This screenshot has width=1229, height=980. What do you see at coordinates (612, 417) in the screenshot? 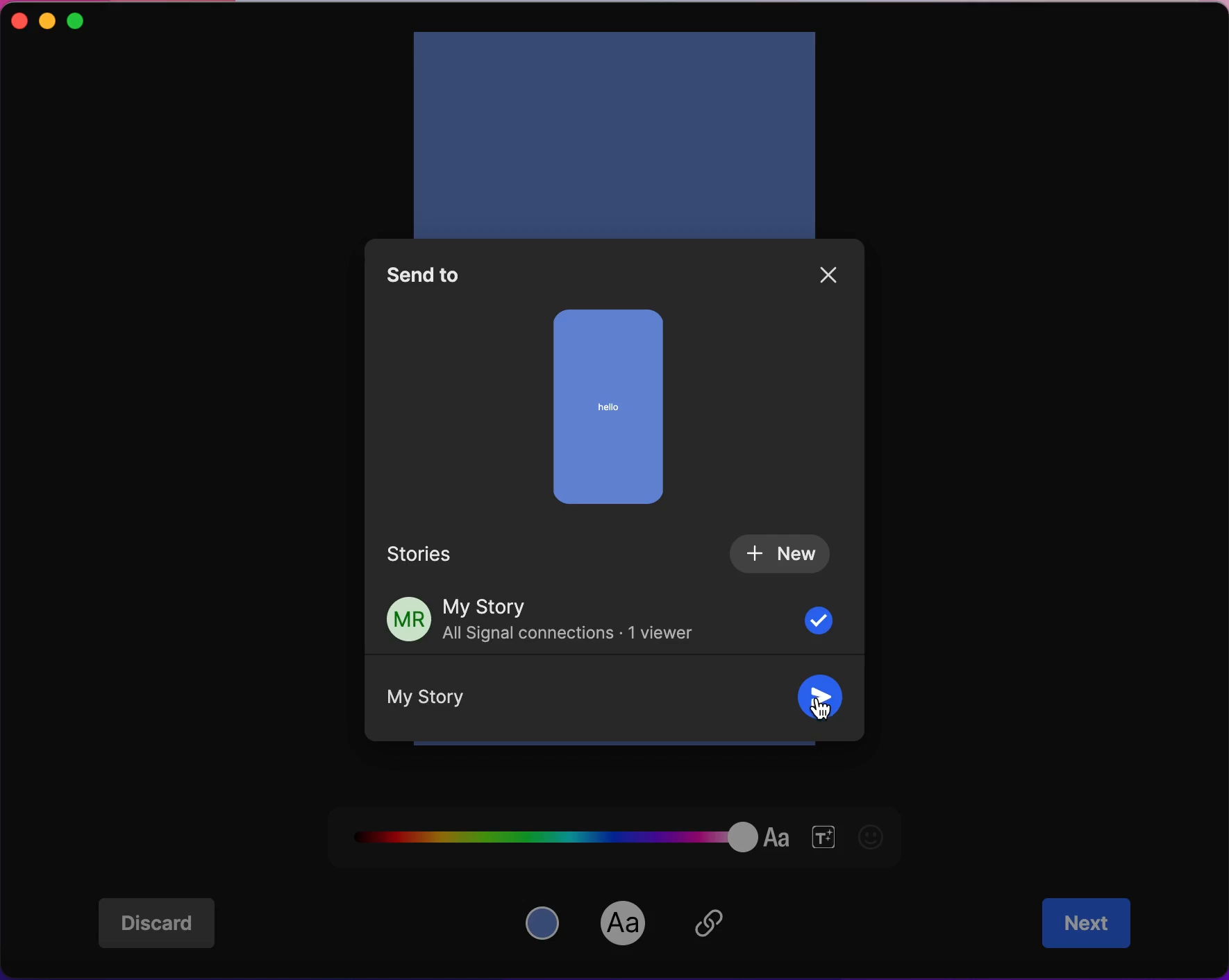
I see `story` at bounding box center [612, 417].